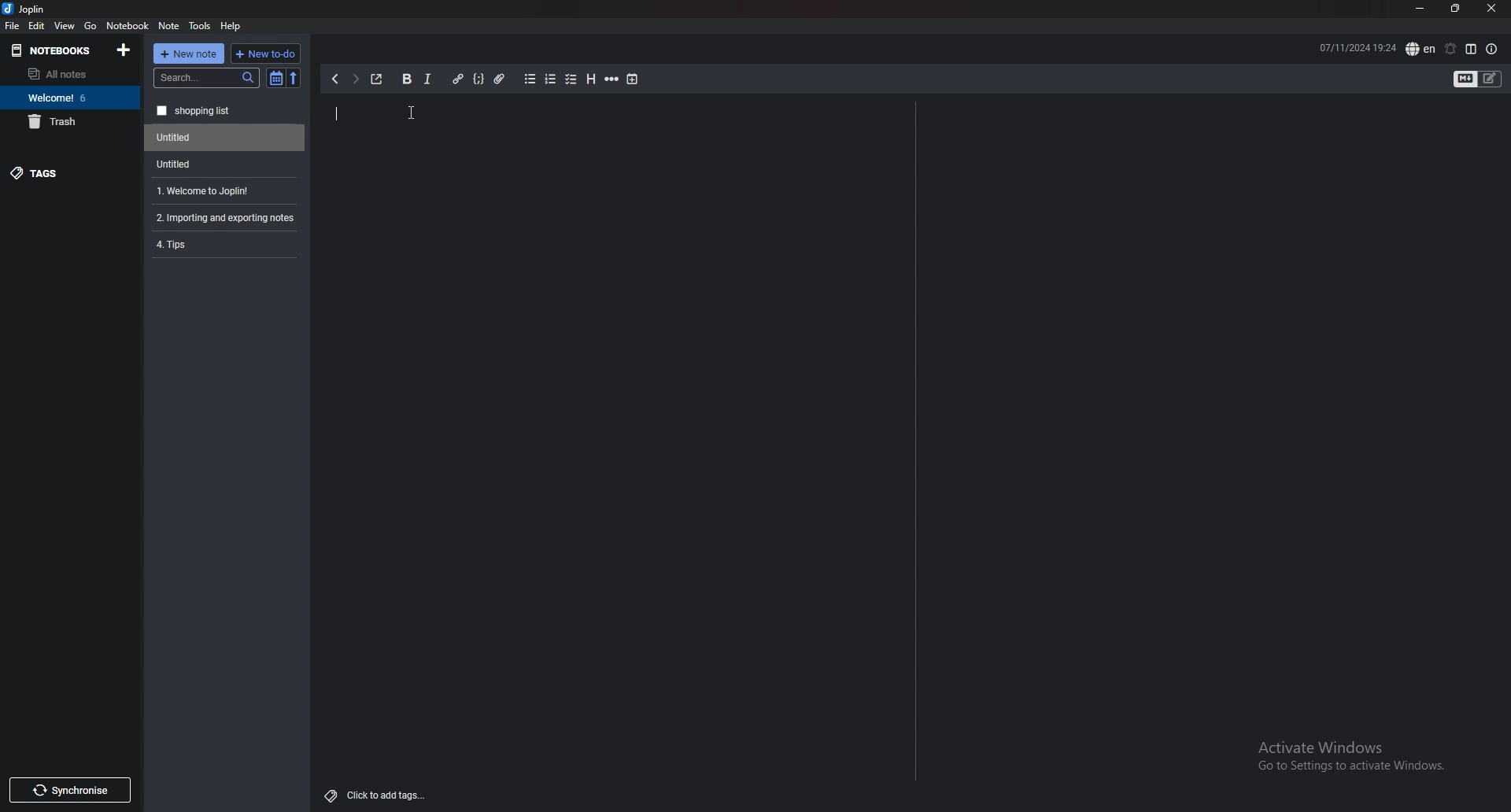  I want to click on next, so click(355, 79).